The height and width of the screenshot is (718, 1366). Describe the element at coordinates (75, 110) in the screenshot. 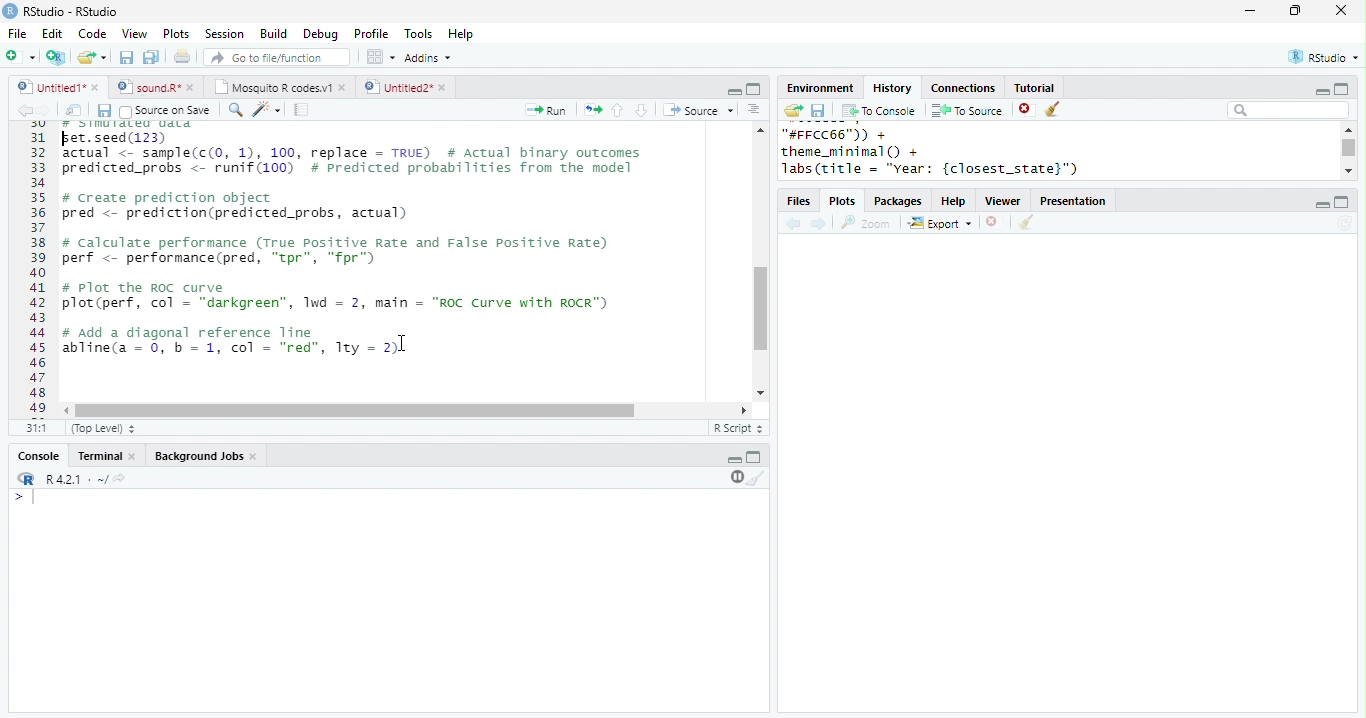

I see `show in new window` at that location.